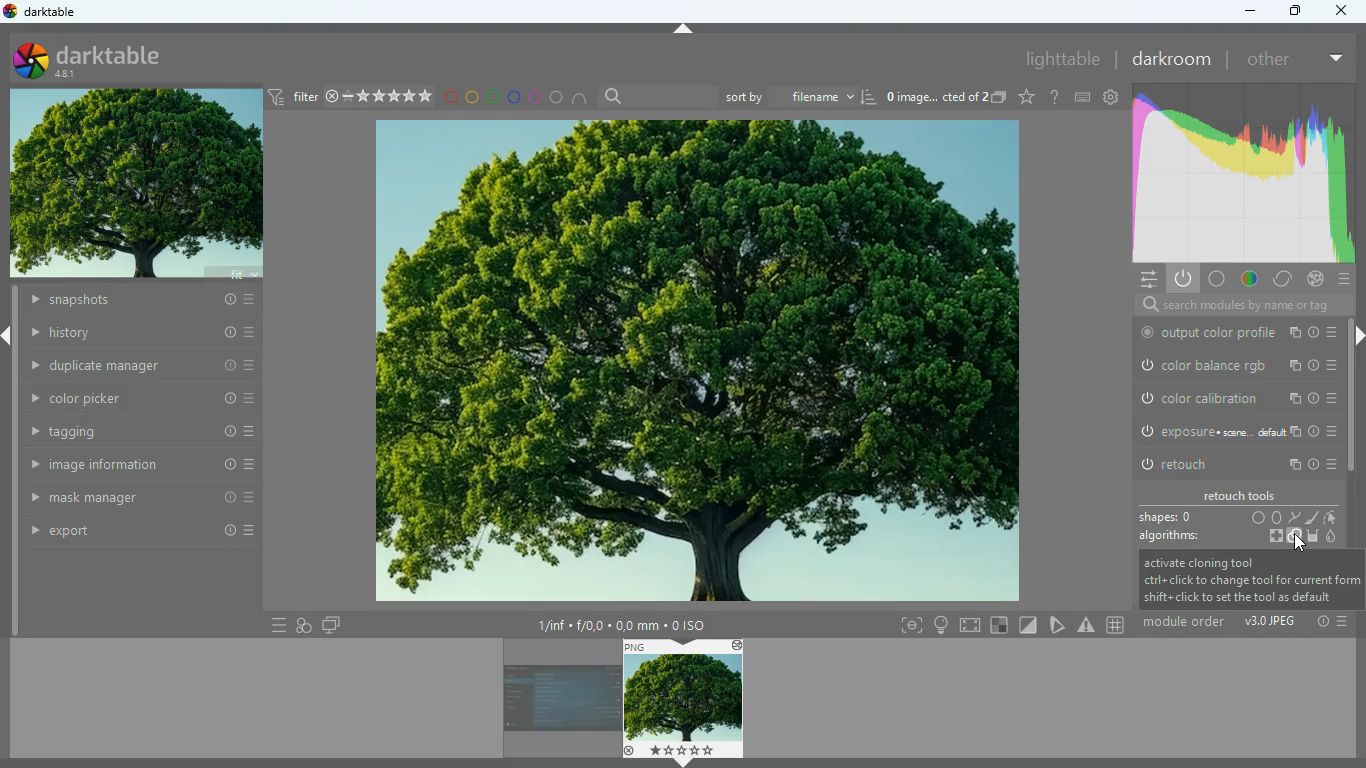 Image resolution: width=1366 pixels, height=768 pixels. What do you see at coordinates (1313, 535) in the screenshot?
I see `fill` at bounding box center [1313, 535].